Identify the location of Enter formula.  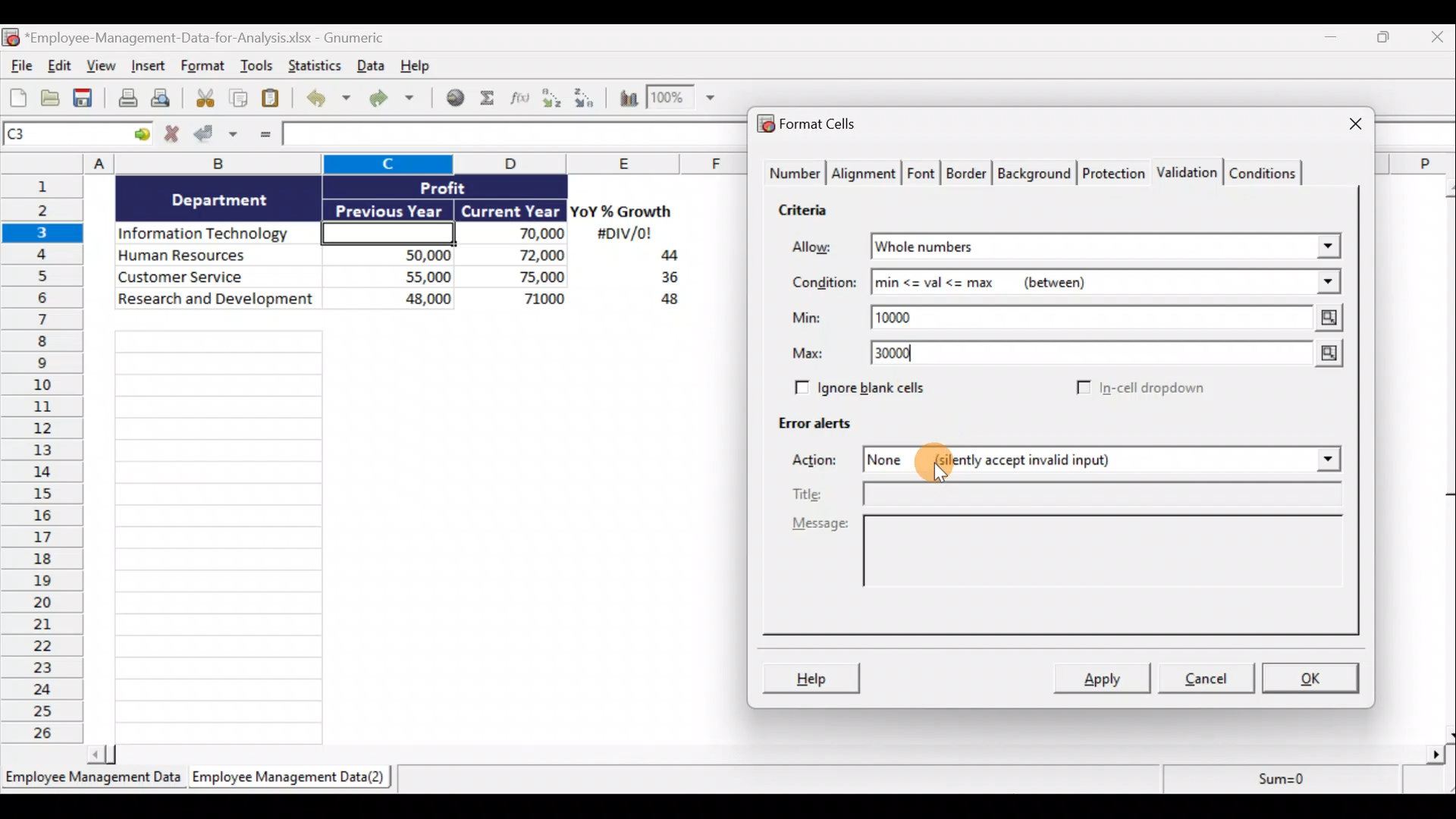
(262, 136).